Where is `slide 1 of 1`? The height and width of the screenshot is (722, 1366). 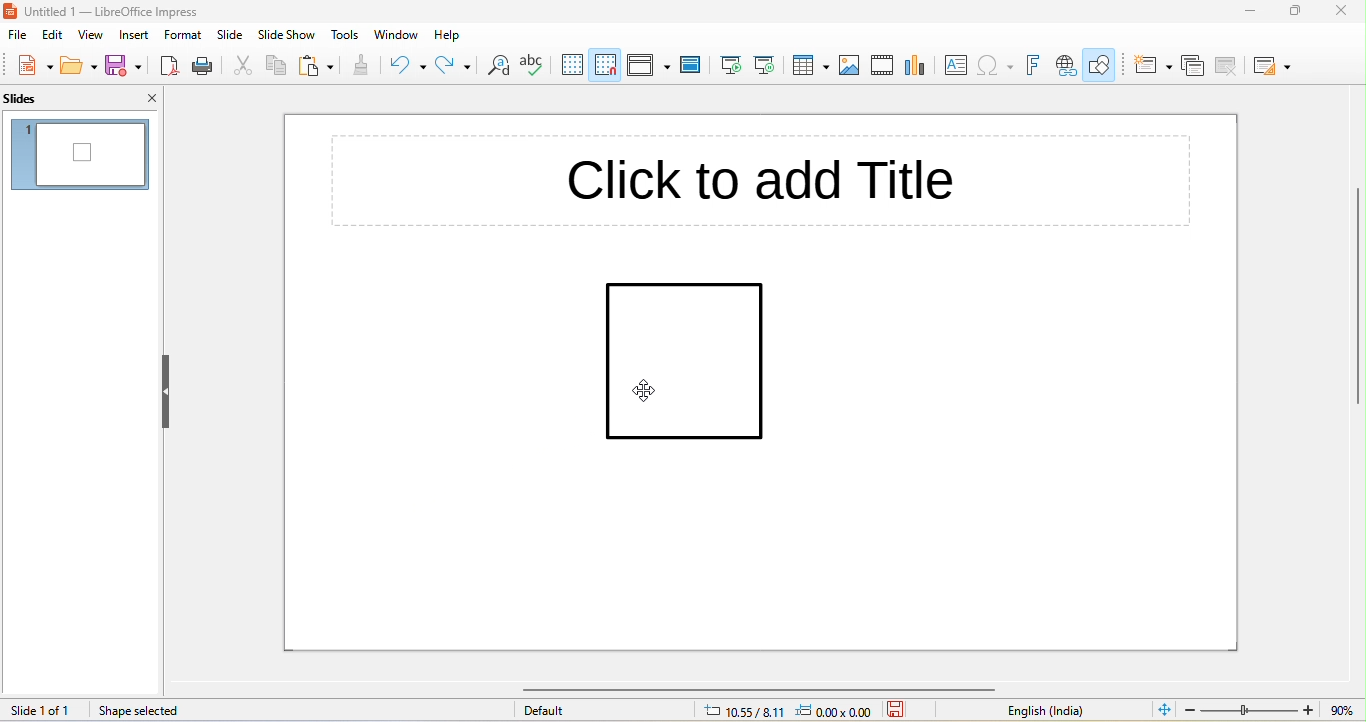 slide 1 of 1 is located at coordinates (43, 711).